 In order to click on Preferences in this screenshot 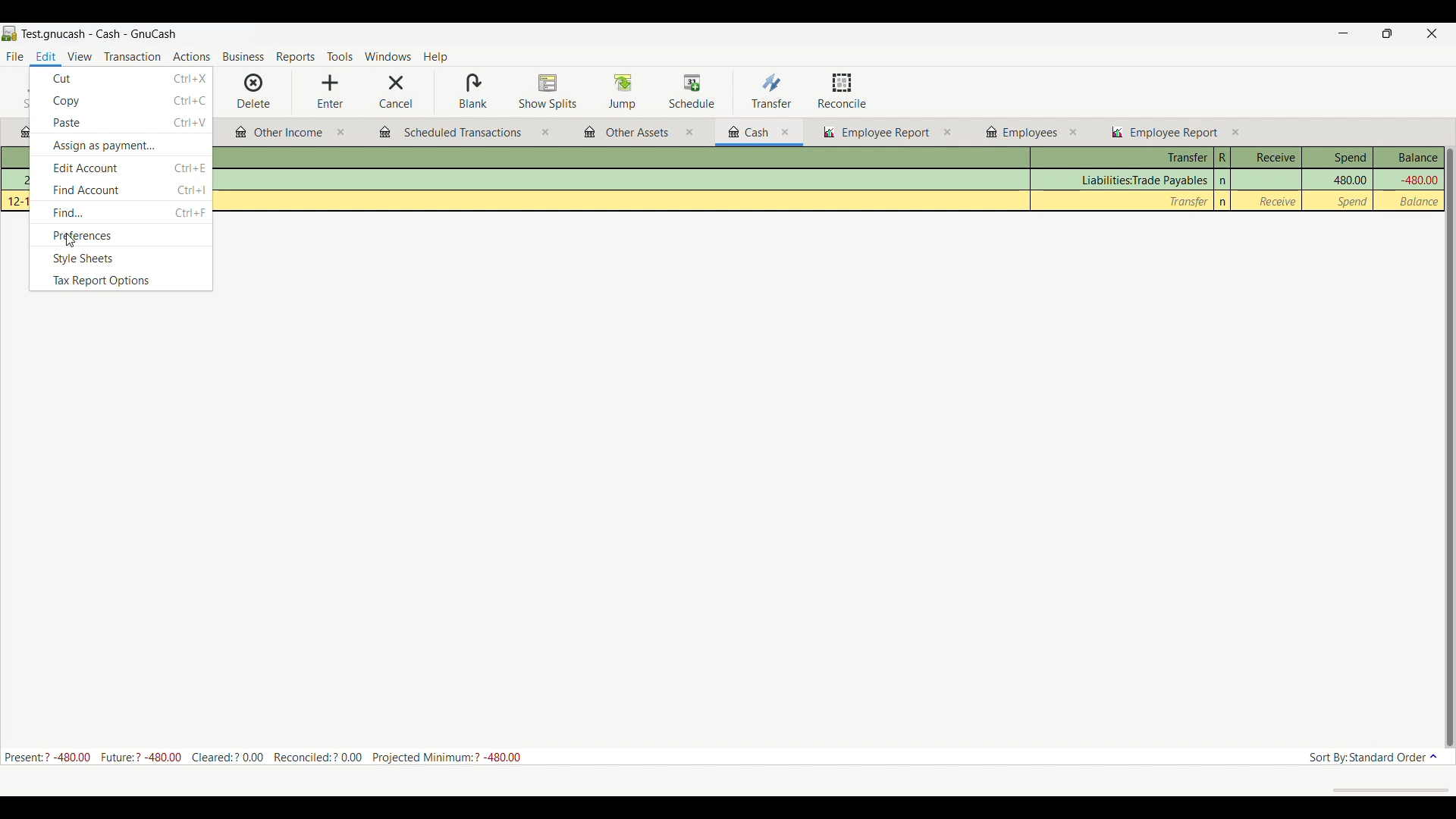, I will do `click(121, 235)`.